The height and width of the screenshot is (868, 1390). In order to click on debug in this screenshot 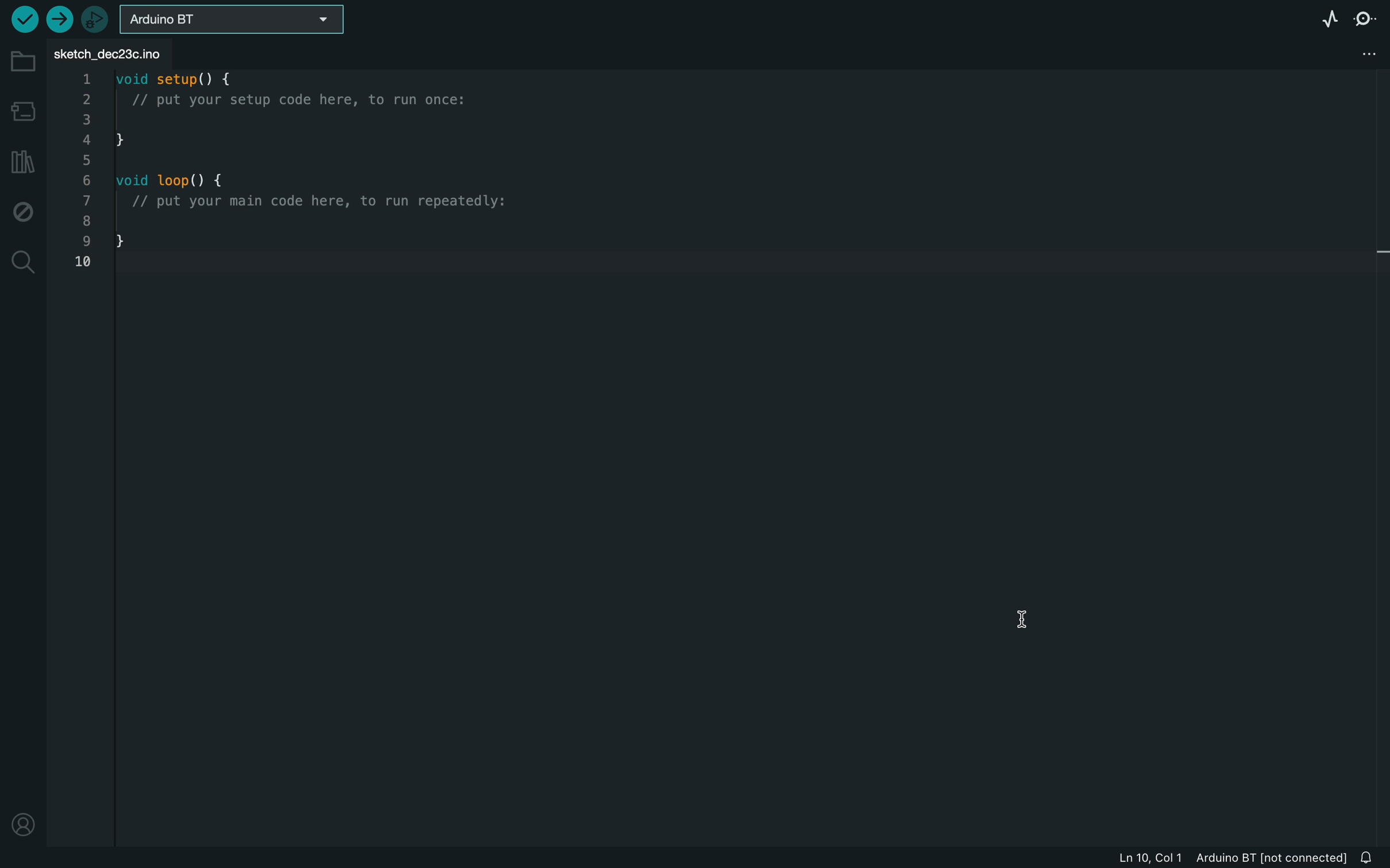, I will do `click(24, 214)`.